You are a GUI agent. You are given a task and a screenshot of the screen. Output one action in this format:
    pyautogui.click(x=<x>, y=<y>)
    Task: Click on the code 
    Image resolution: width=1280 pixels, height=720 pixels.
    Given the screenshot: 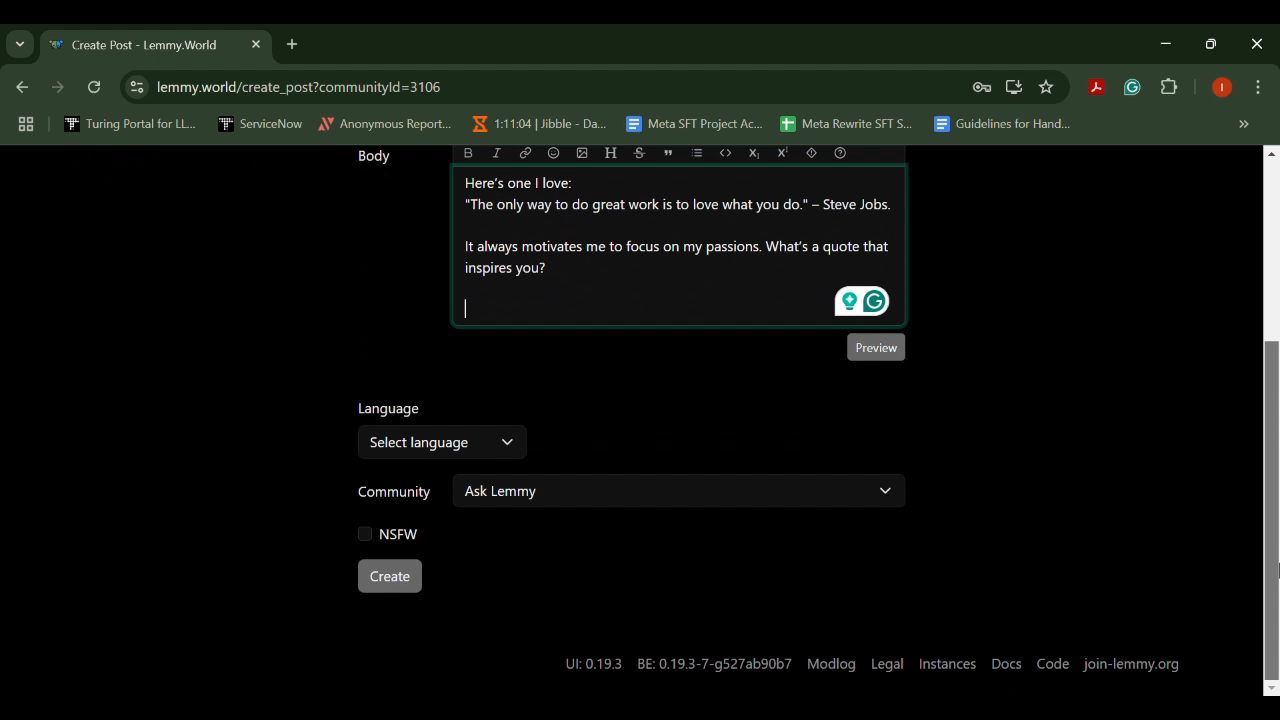 What is the action you would take?
    pyautogui.click(x=726, y=153)
    